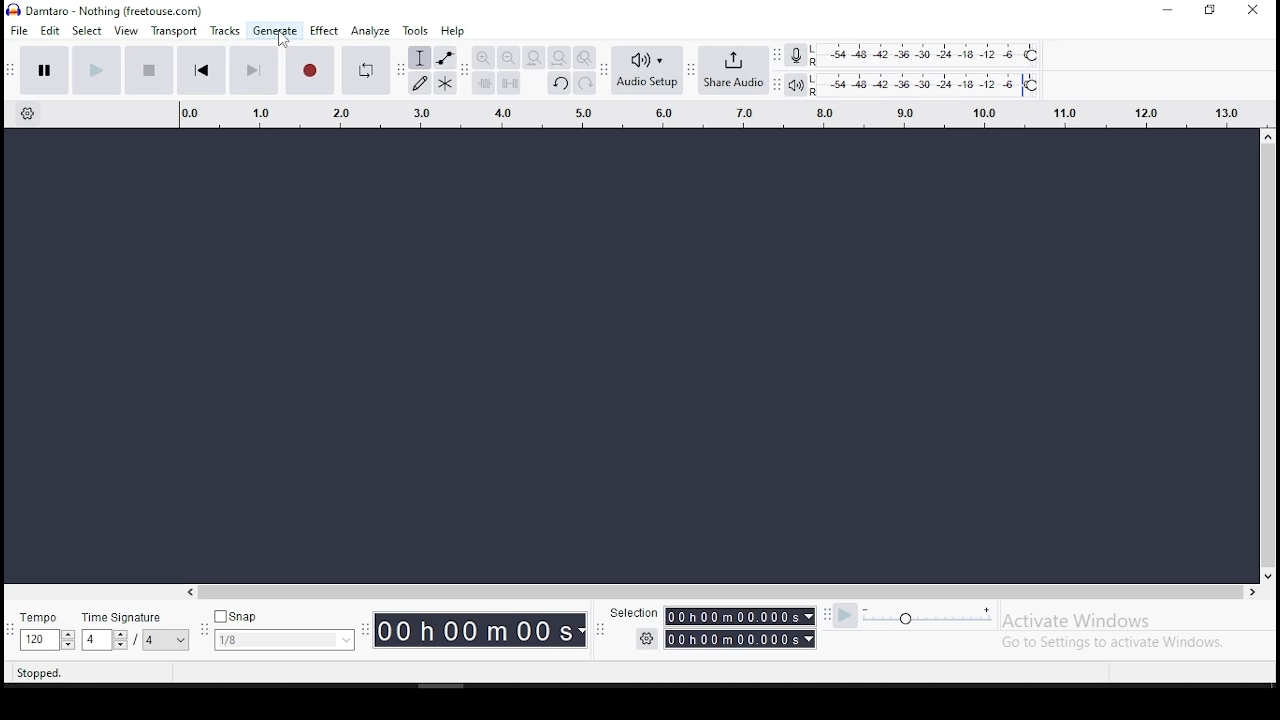 This screenshot has width=1280, height=720. What do you see at coordinates (927, 85) in the screenshot?
I see `playback level` at bounding box center [927, 85].